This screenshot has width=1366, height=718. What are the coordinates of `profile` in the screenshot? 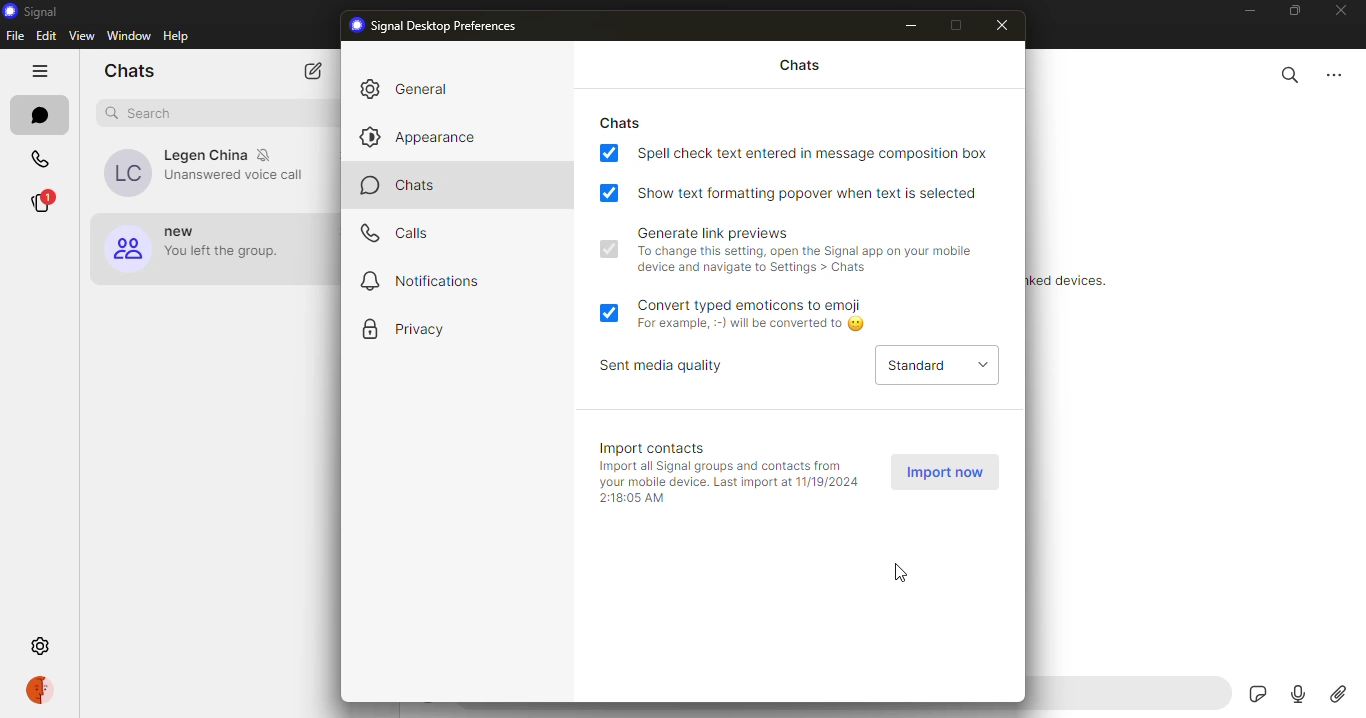 It's located at (42, 688).